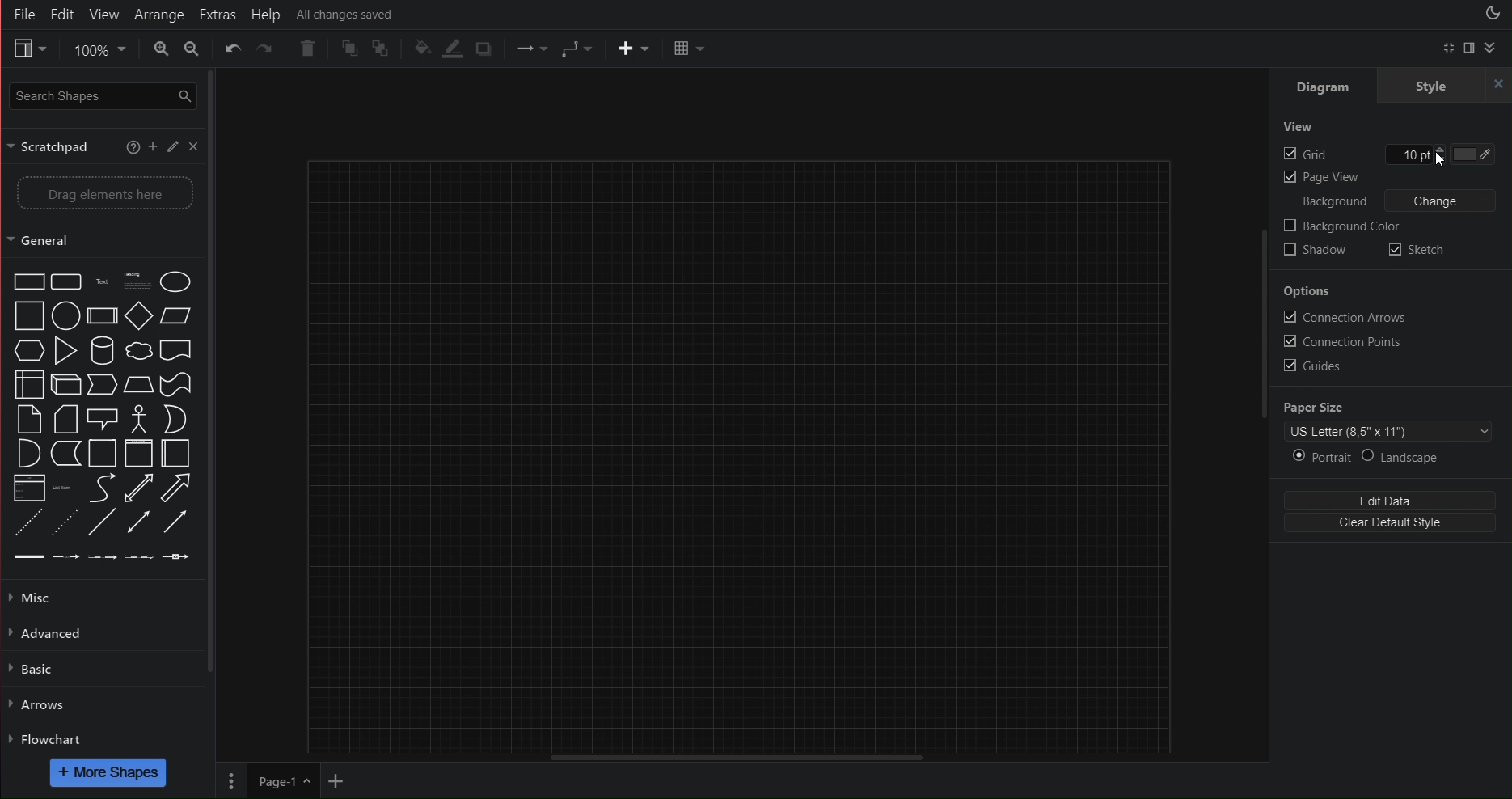 The image size is (1512, 799). I want to click on box, so click(24, 277).